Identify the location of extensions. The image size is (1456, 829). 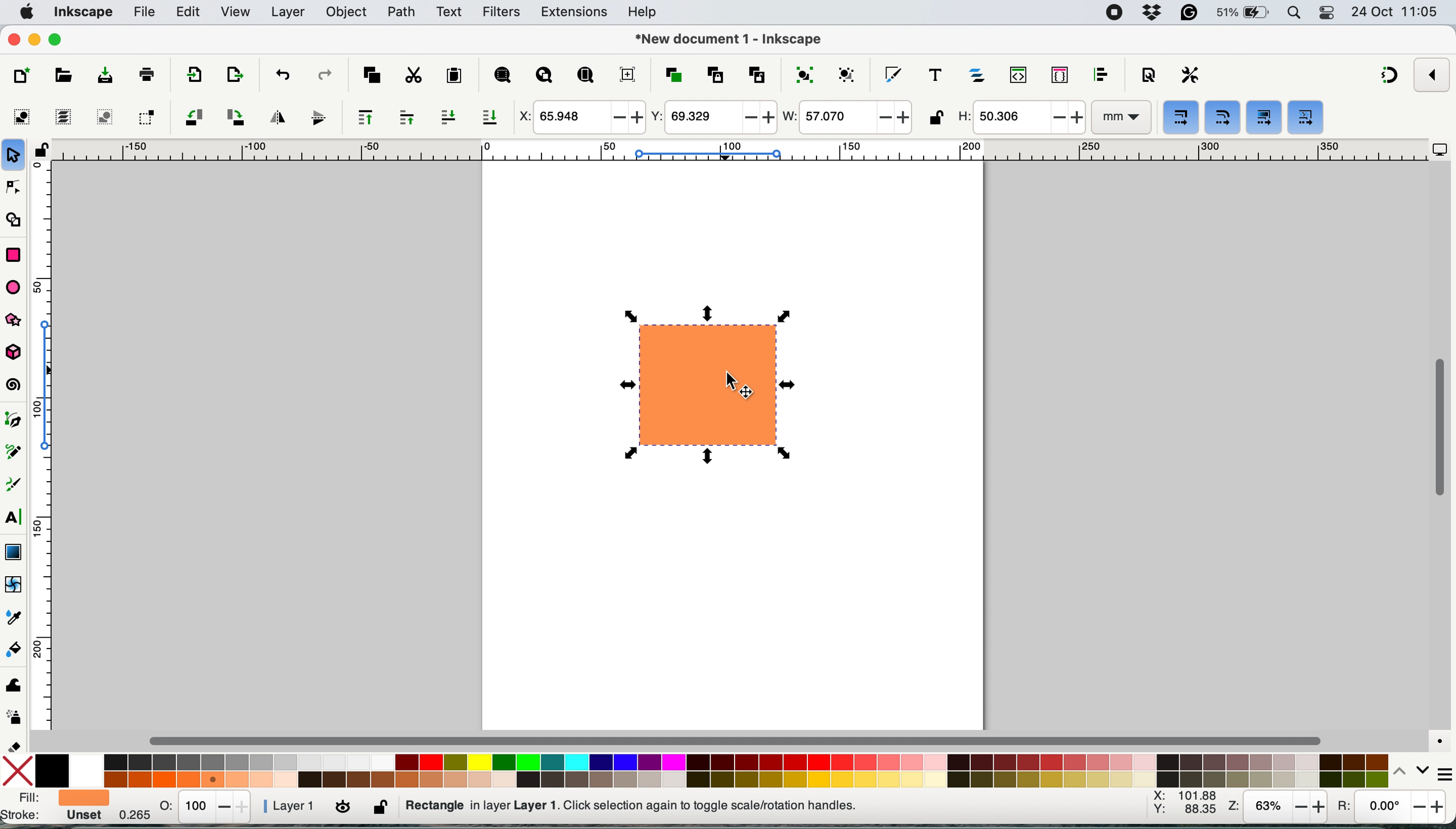
(576, 13).